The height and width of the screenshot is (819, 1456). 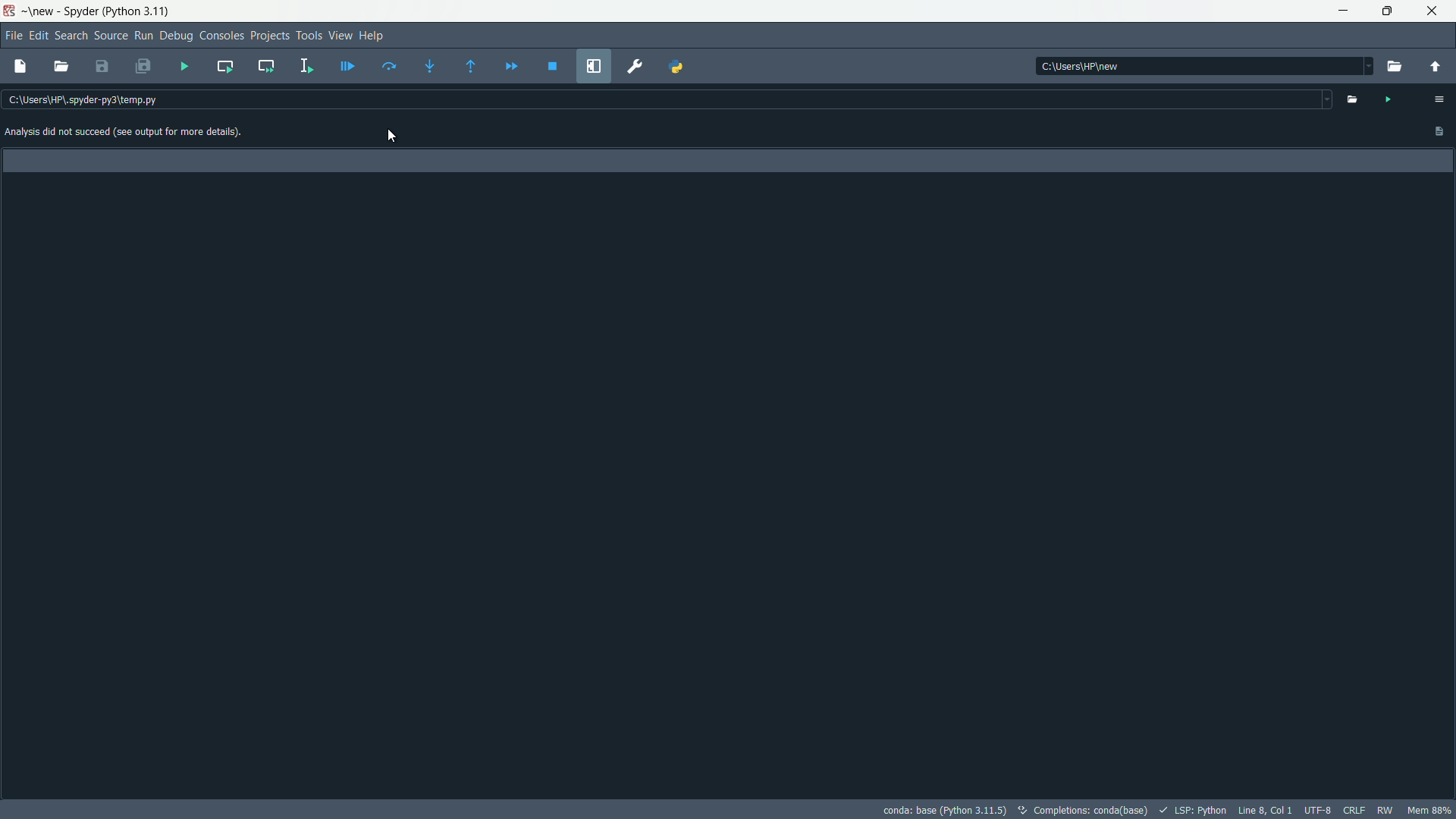 I want to click on save all files, so click(x=143, y=66).